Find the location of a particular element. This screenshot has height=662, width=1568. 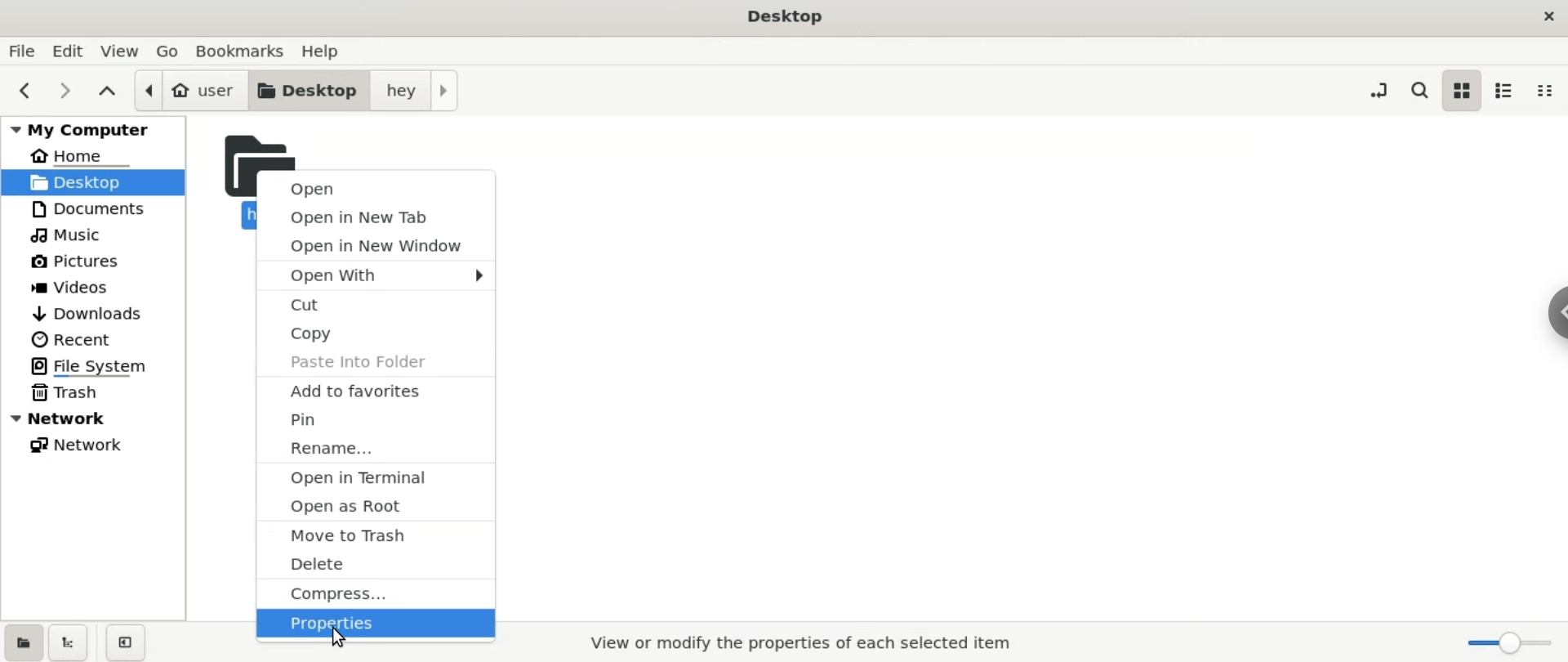

home is located at coordinates (97, 154).